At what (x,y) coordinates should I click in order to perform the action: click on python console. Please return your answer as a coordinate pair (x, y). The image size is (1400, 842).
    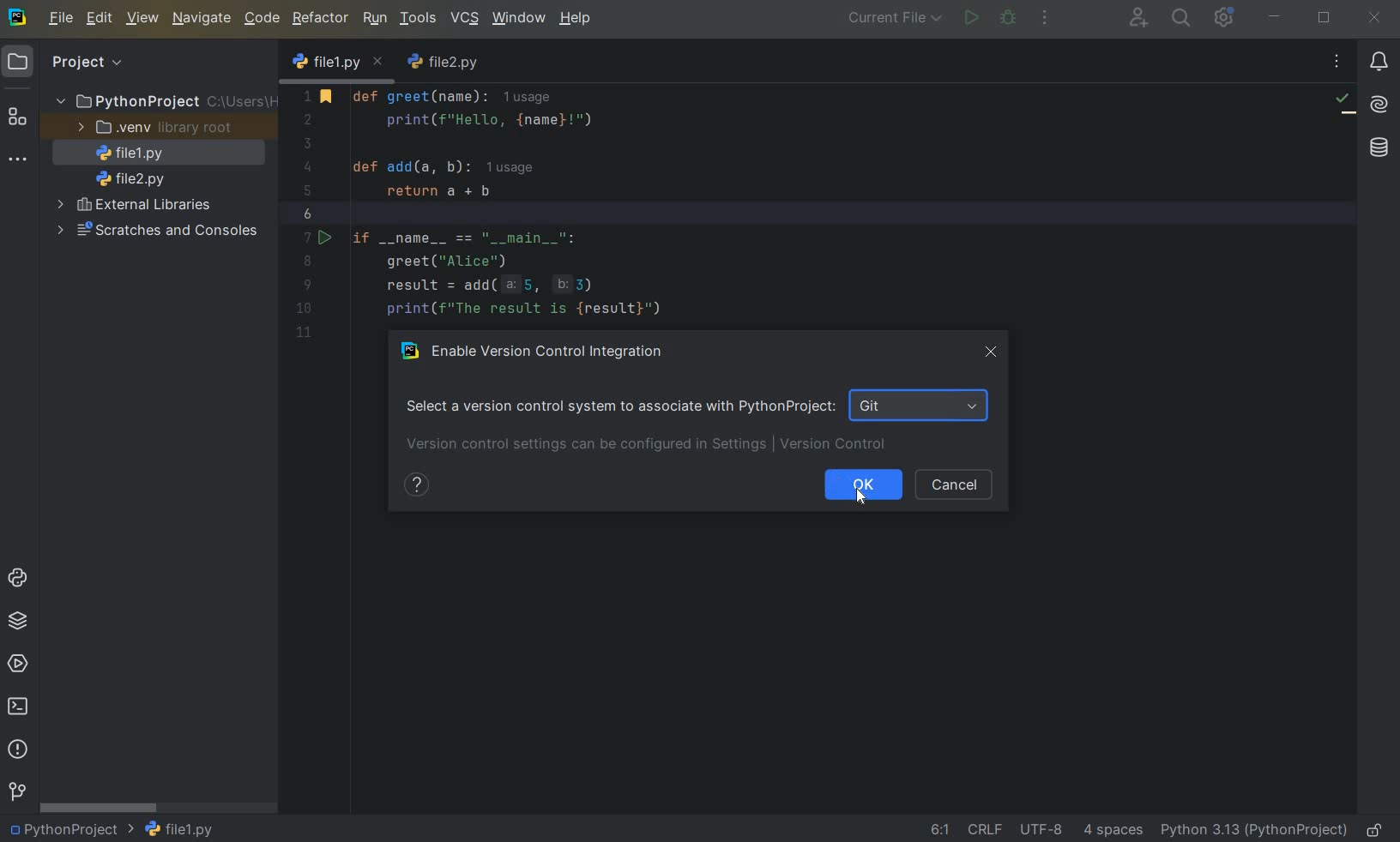
    Looking at the image, I should click on (17, 578).